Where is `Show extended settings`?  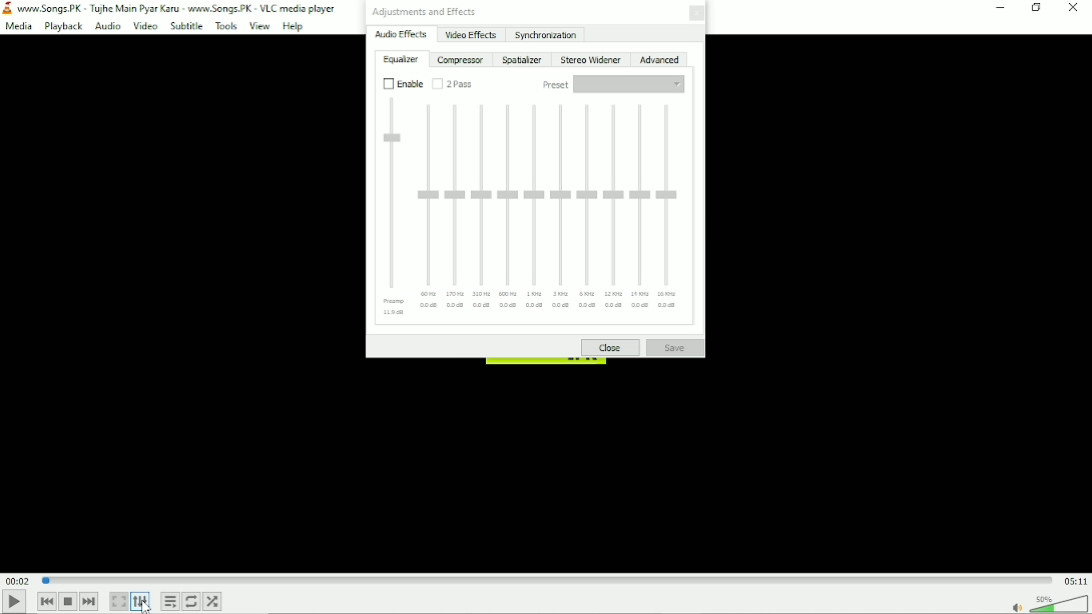
Show extended settings is located at coordinates (141, 601).